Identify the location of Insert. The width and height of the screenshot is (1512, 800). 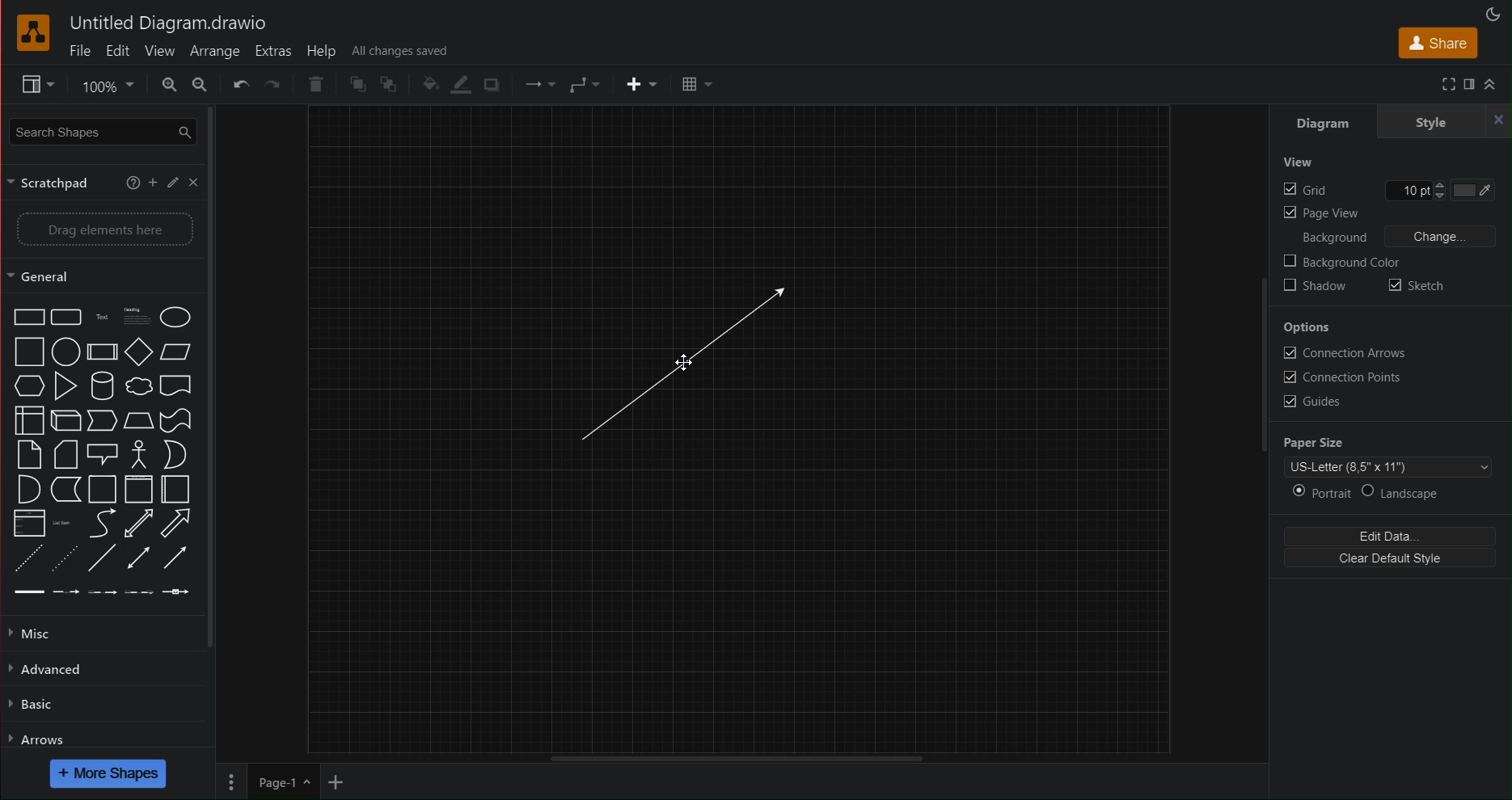
(640, 84).